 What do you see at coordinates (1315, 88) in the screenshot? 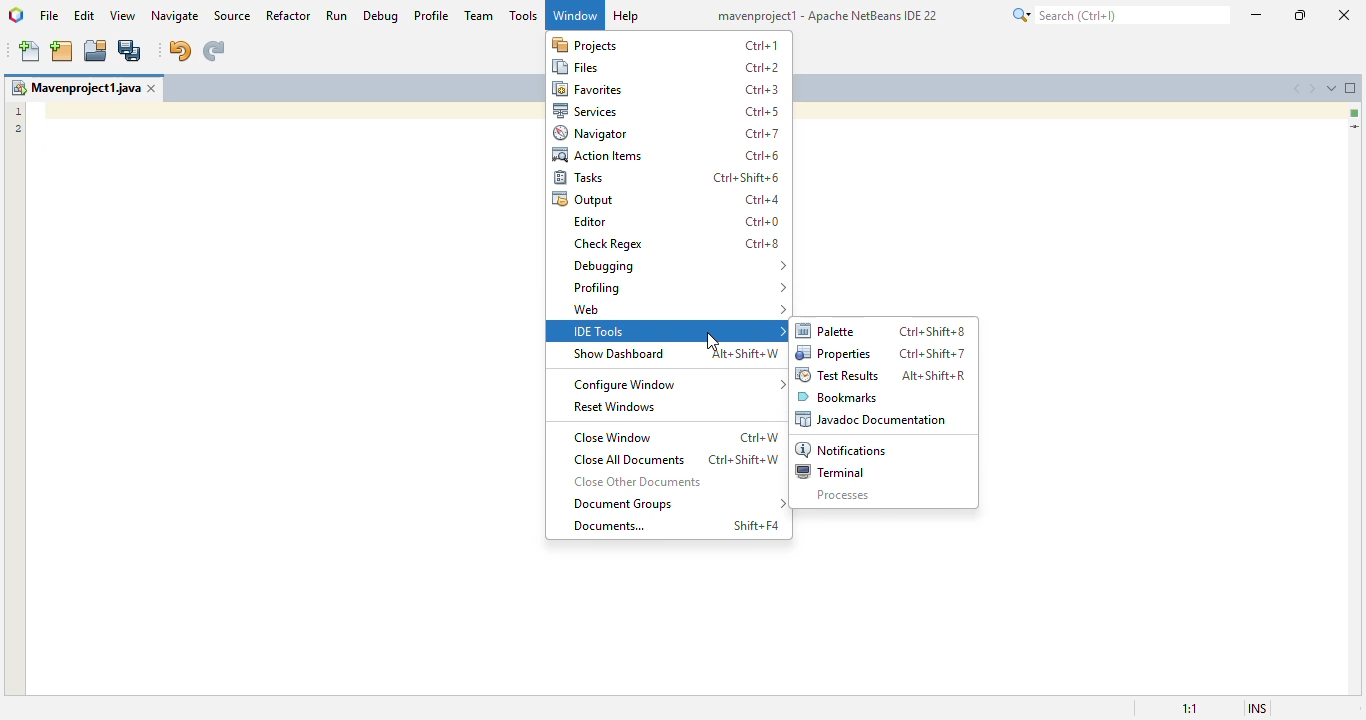
I see `scroll documents right` at bounding box center [1315, 88].